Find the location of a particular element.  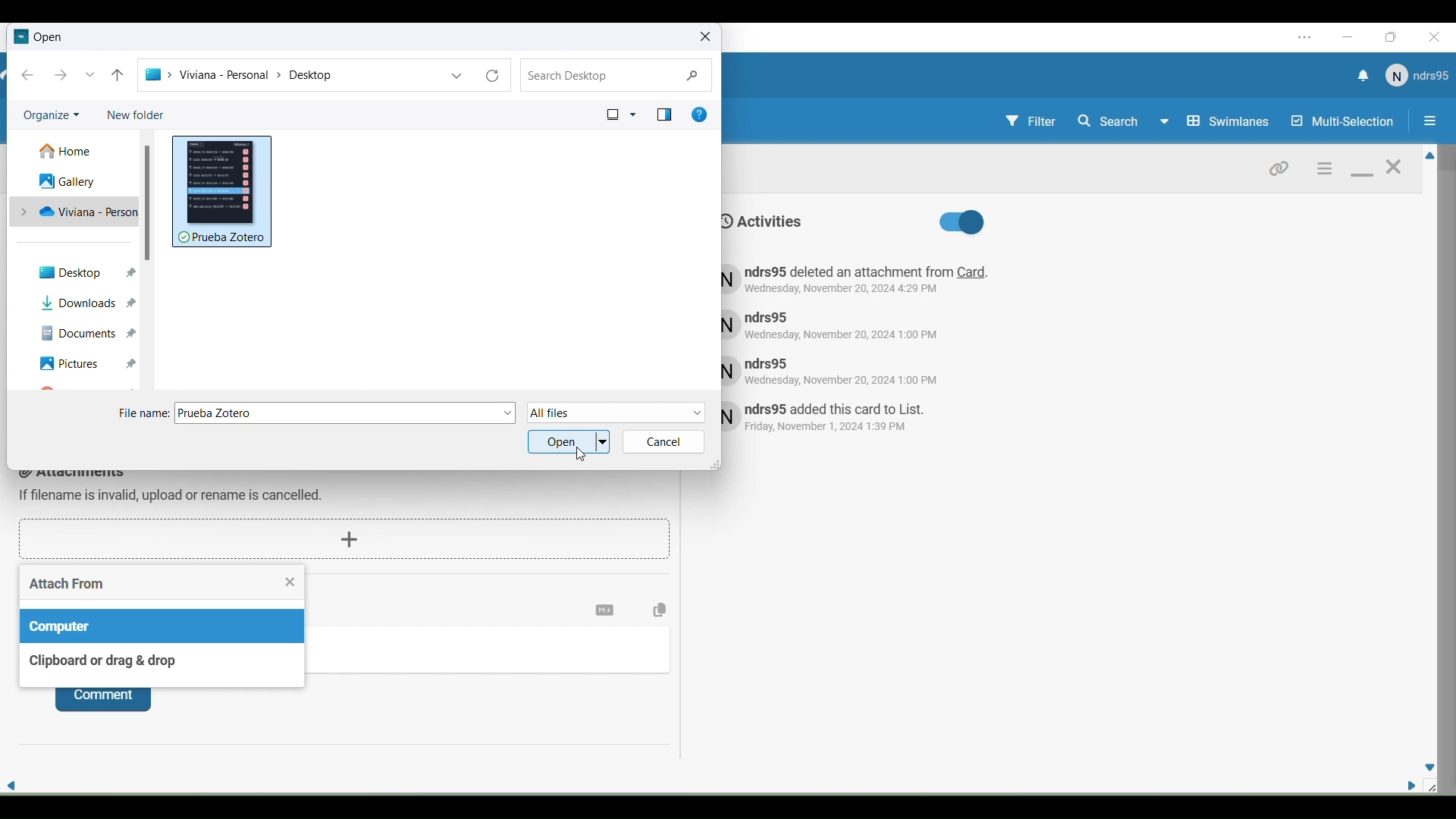

Path is located at coordinates (291, 76).